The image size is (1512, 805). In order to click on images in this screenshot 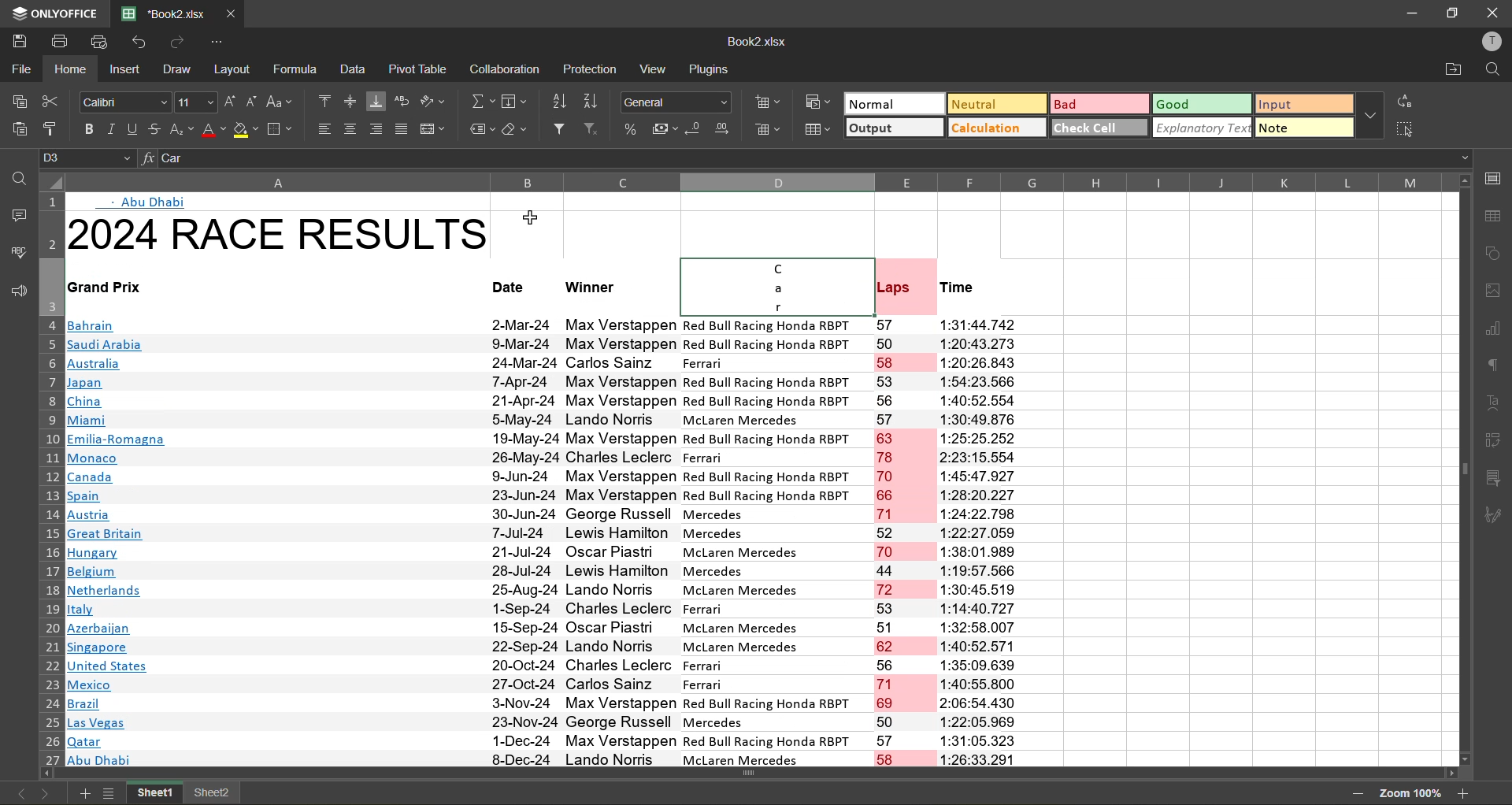, I will do `click(1493, 293)`.